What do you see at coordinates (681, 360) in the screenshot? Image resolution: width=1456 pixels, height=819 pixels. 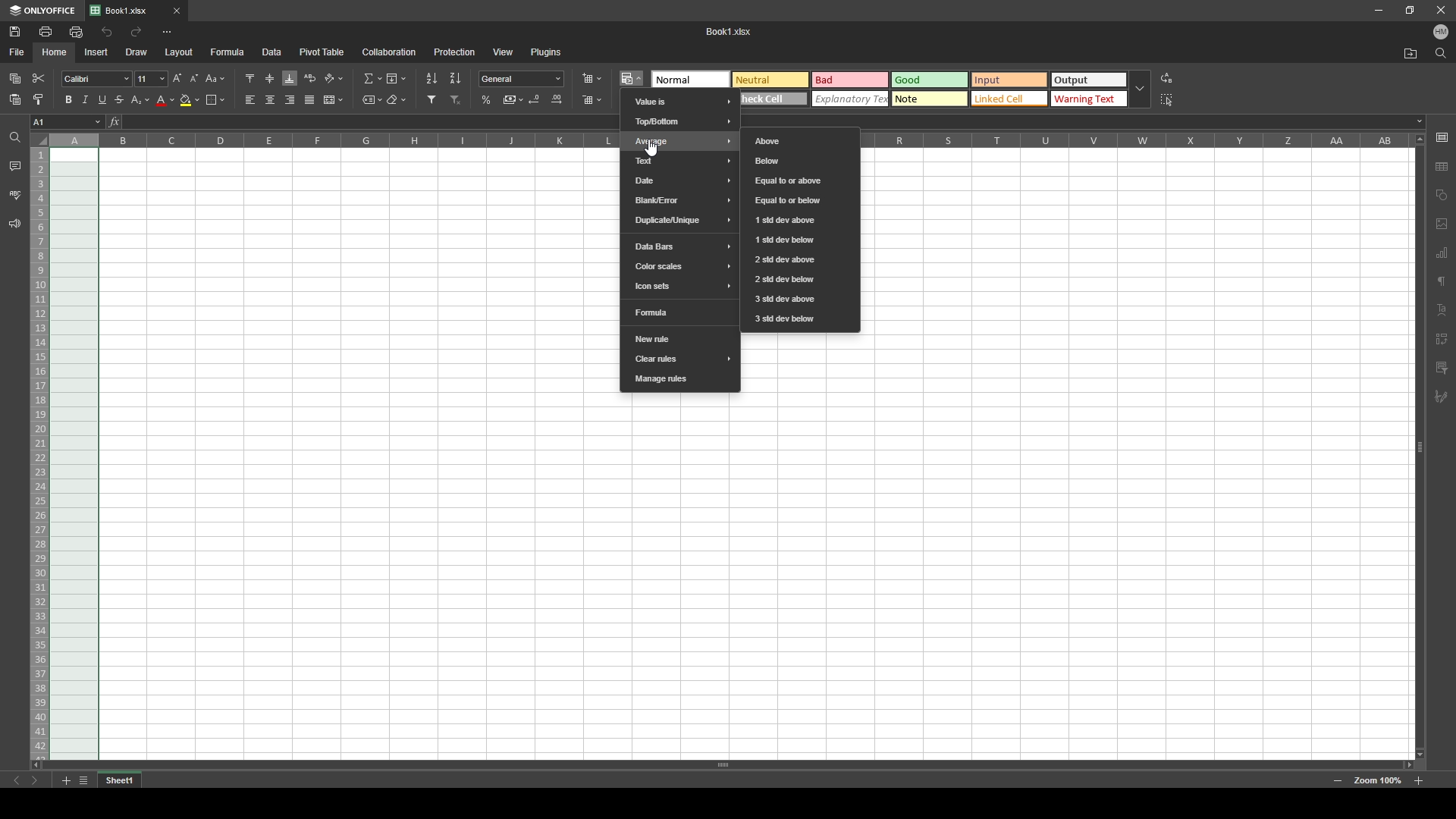 I see `clear rules` at bounding box center [681, 360].